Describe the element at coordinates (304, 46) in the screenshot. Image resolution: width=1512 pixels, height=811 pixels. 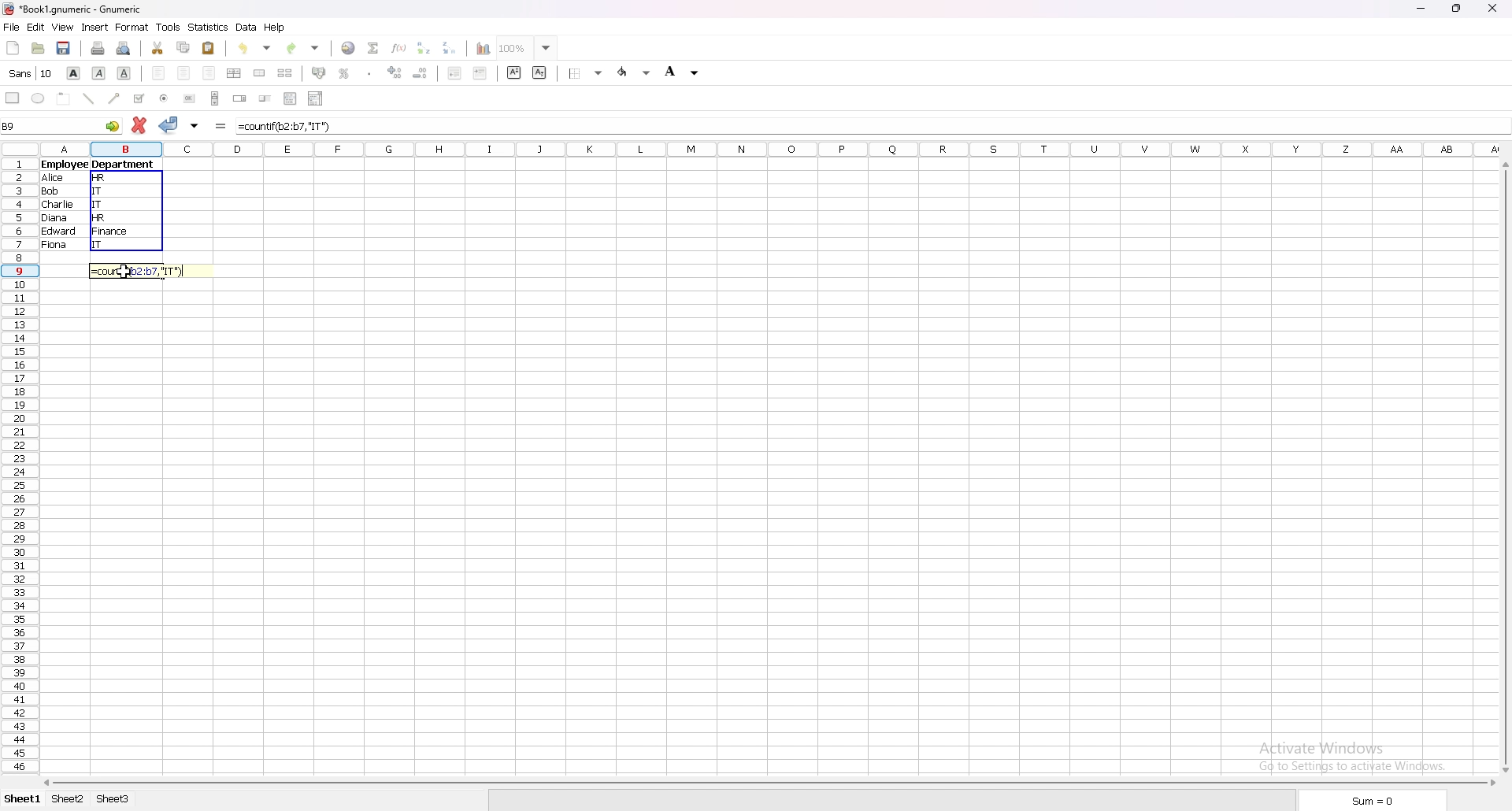
I see `redo` at that location.